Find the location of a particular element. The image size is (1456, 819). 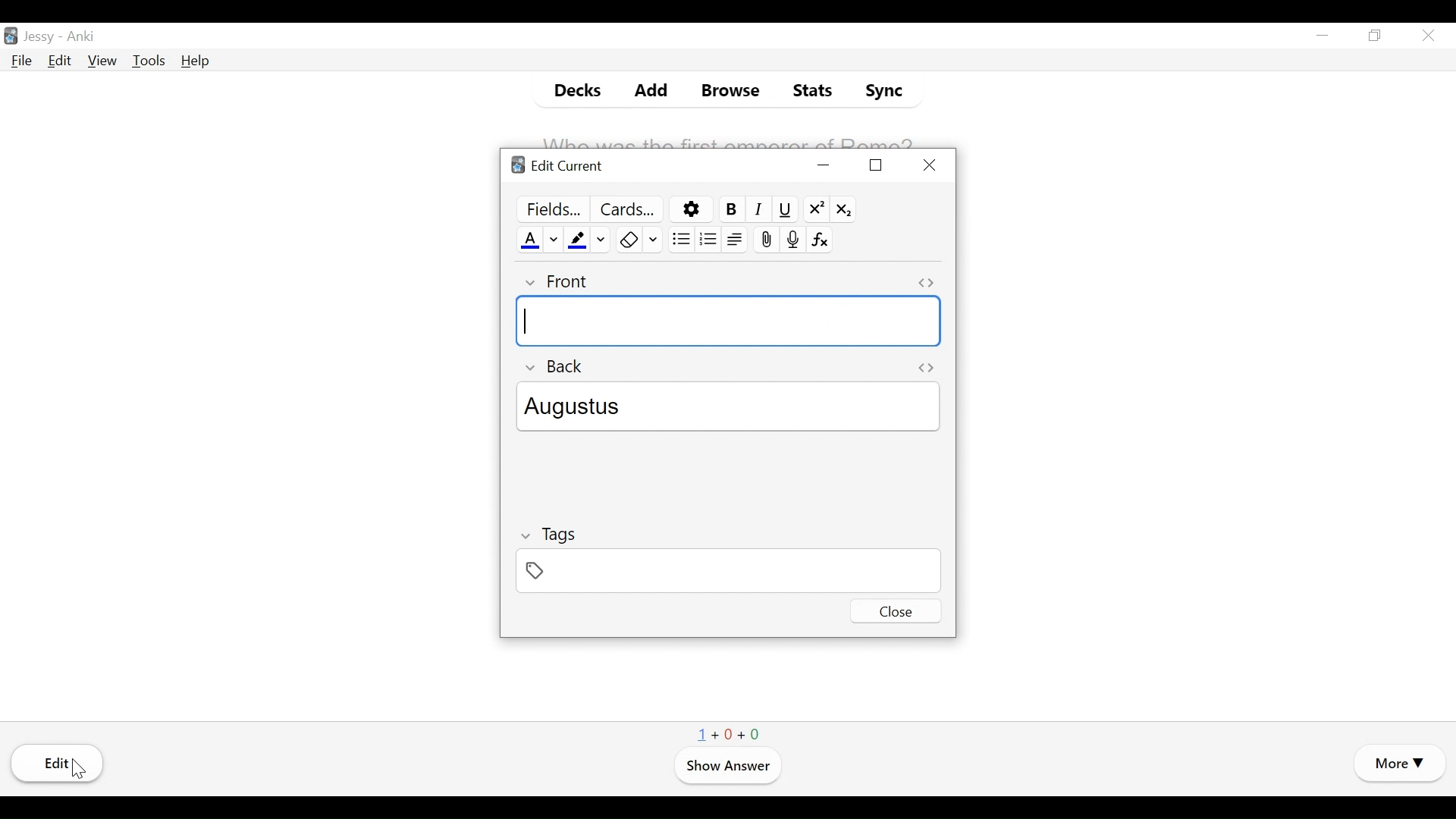

File is located at coordinates (21, 61).